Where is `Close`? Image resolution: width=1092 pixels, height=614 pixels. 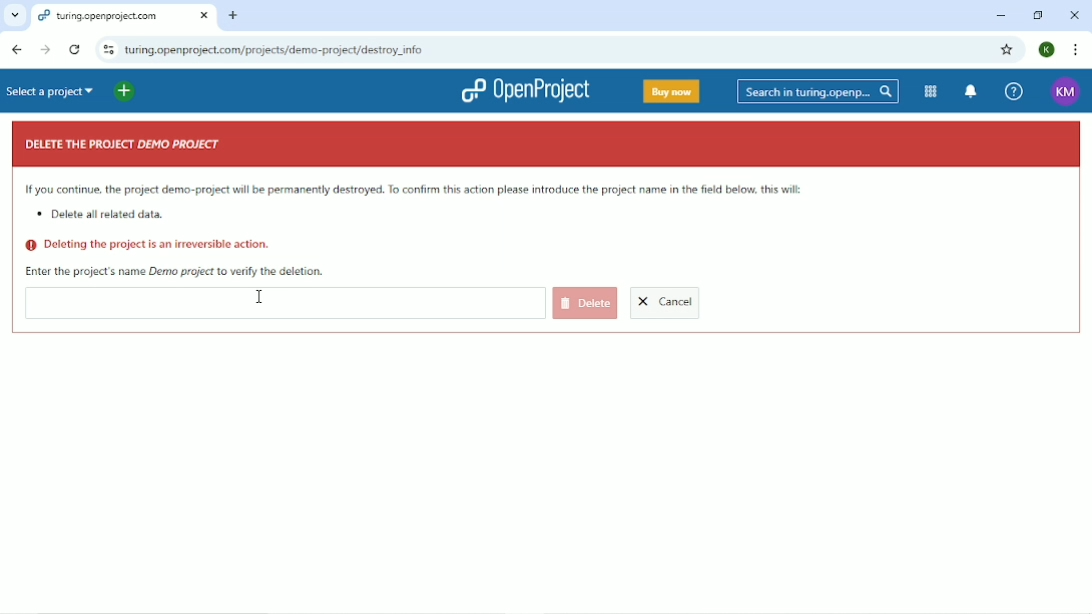 Close is located at coordinates (1076, 16).